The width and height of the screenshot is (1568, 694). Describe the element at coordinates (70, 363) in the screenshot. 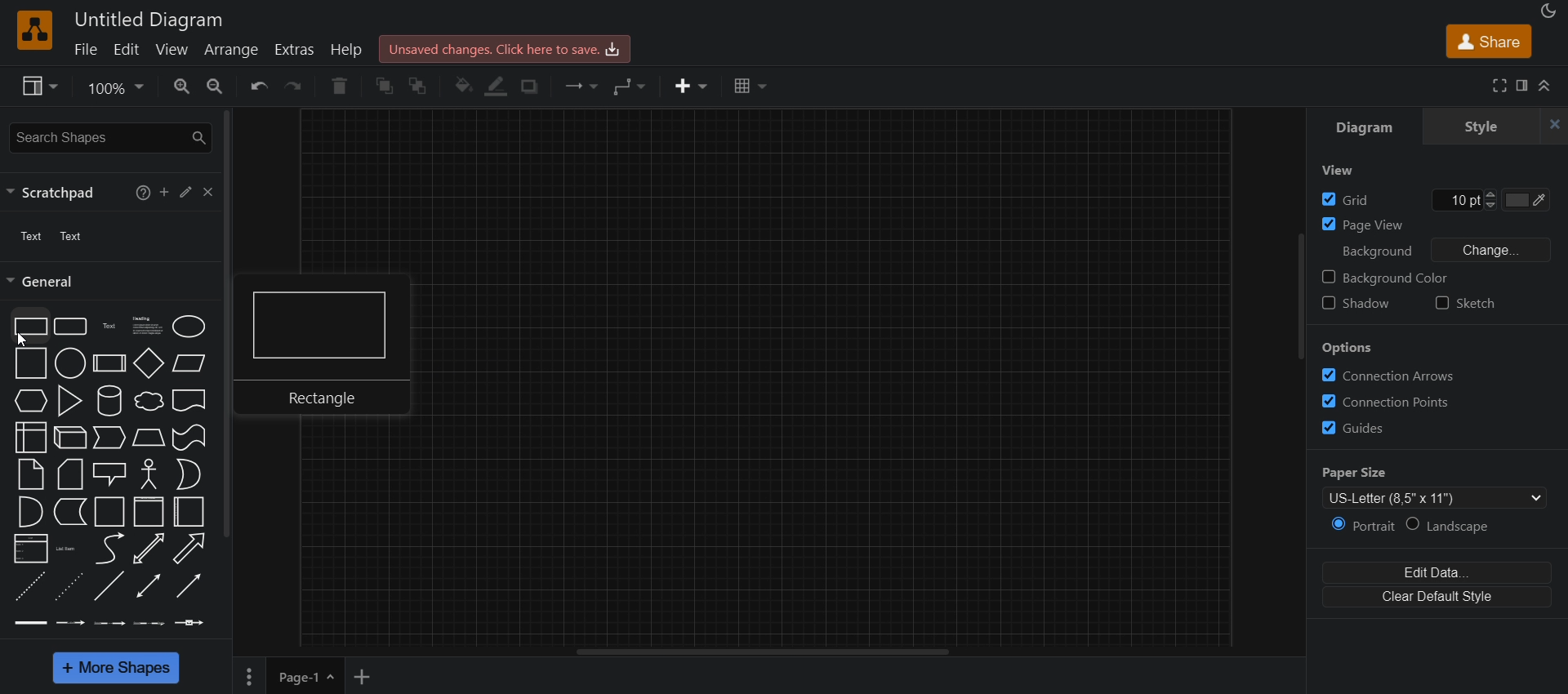

I see `circle` at that location.